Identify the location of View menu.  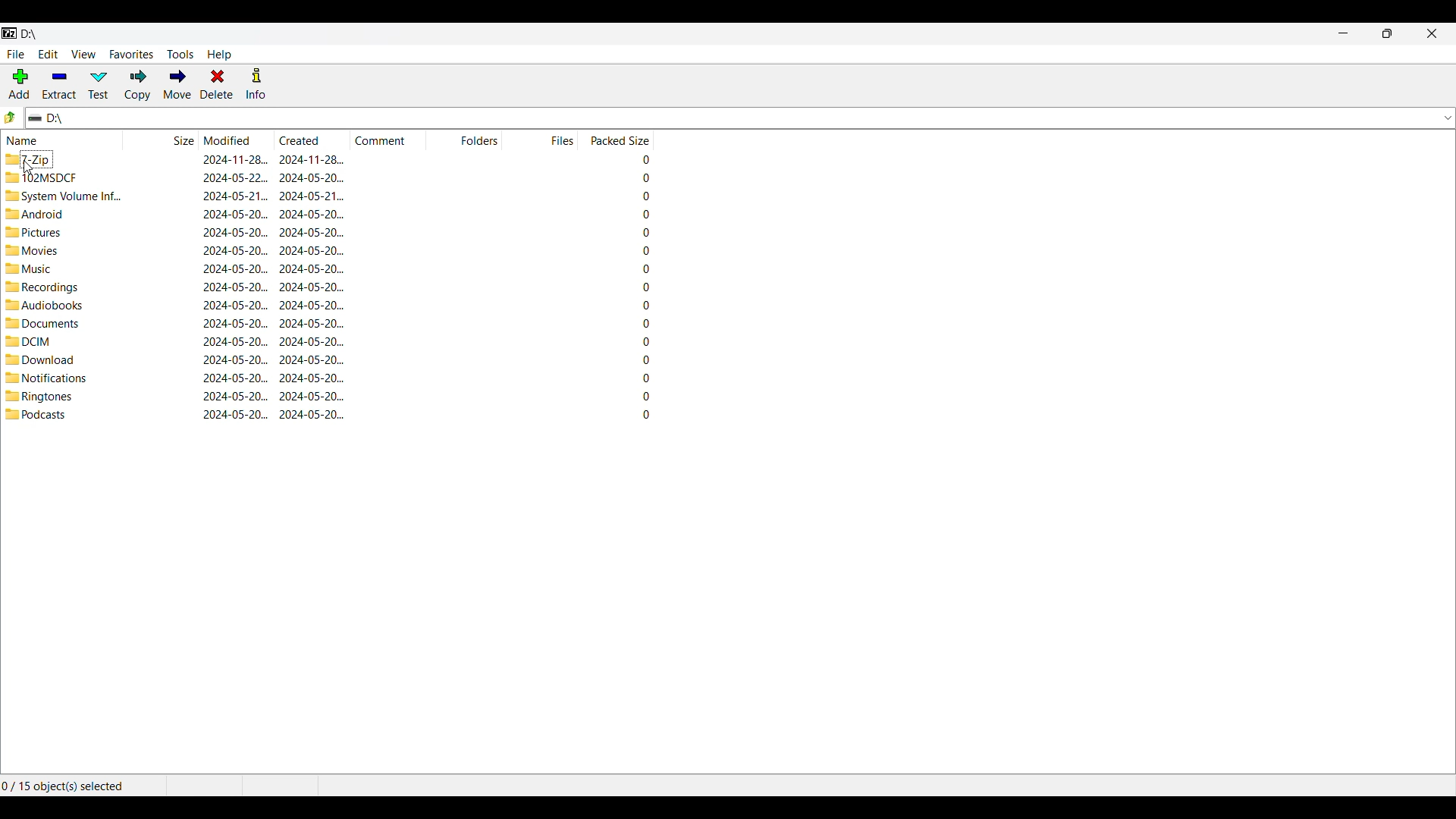
(84, 55).